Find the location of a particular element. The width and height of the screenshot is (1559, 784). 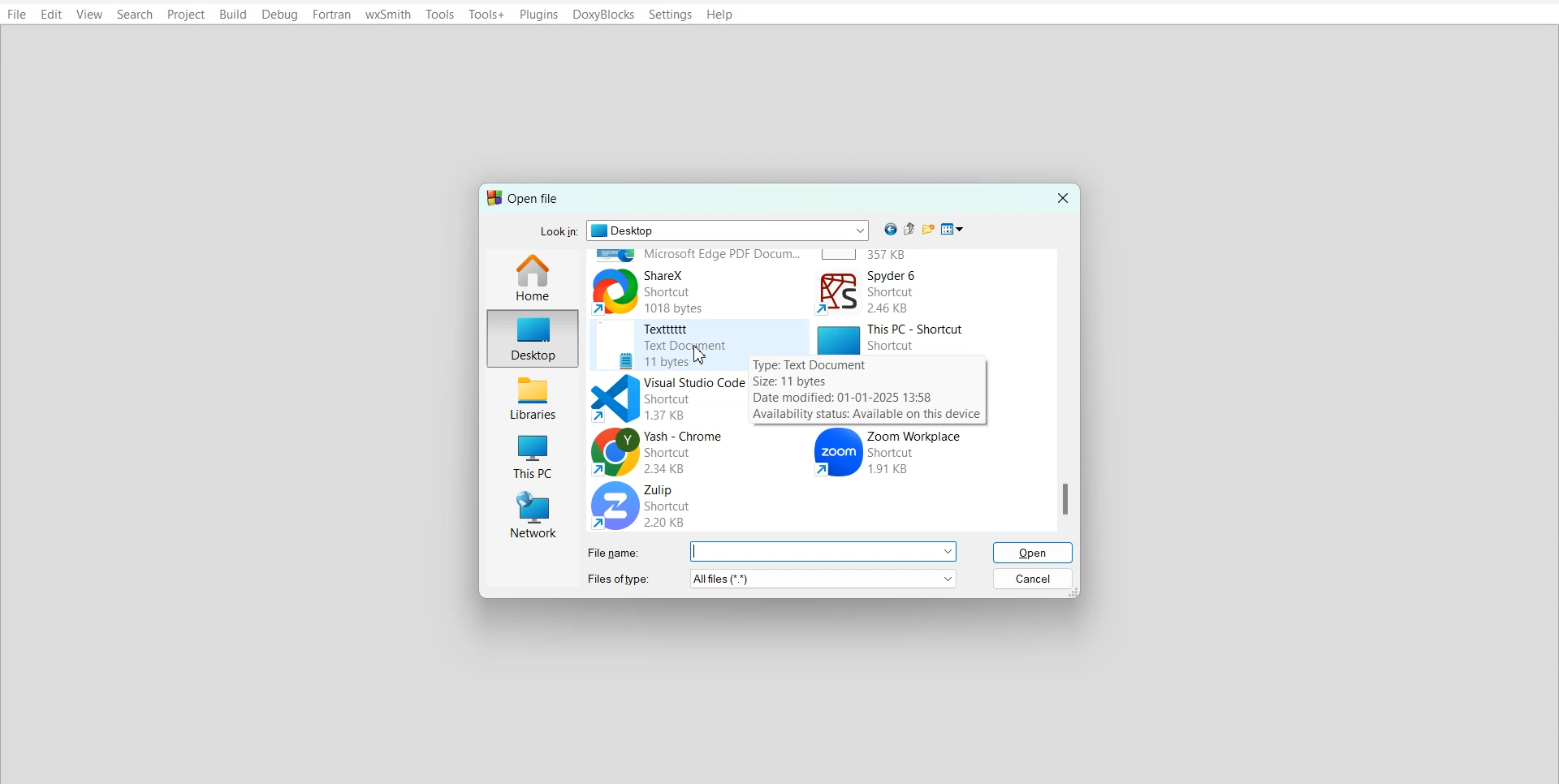

Libraries is located at coordinates (529, 399).